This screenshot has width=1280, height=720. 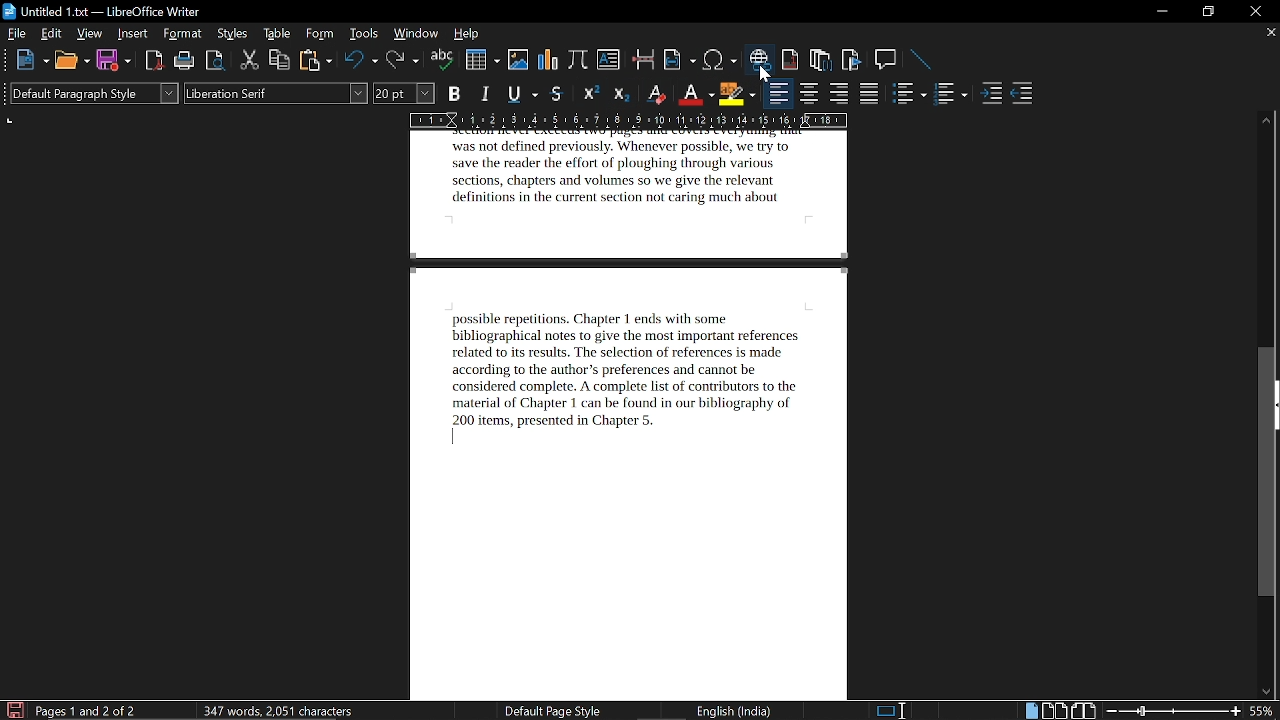 I want to click on new, so click(x=31, y=61).